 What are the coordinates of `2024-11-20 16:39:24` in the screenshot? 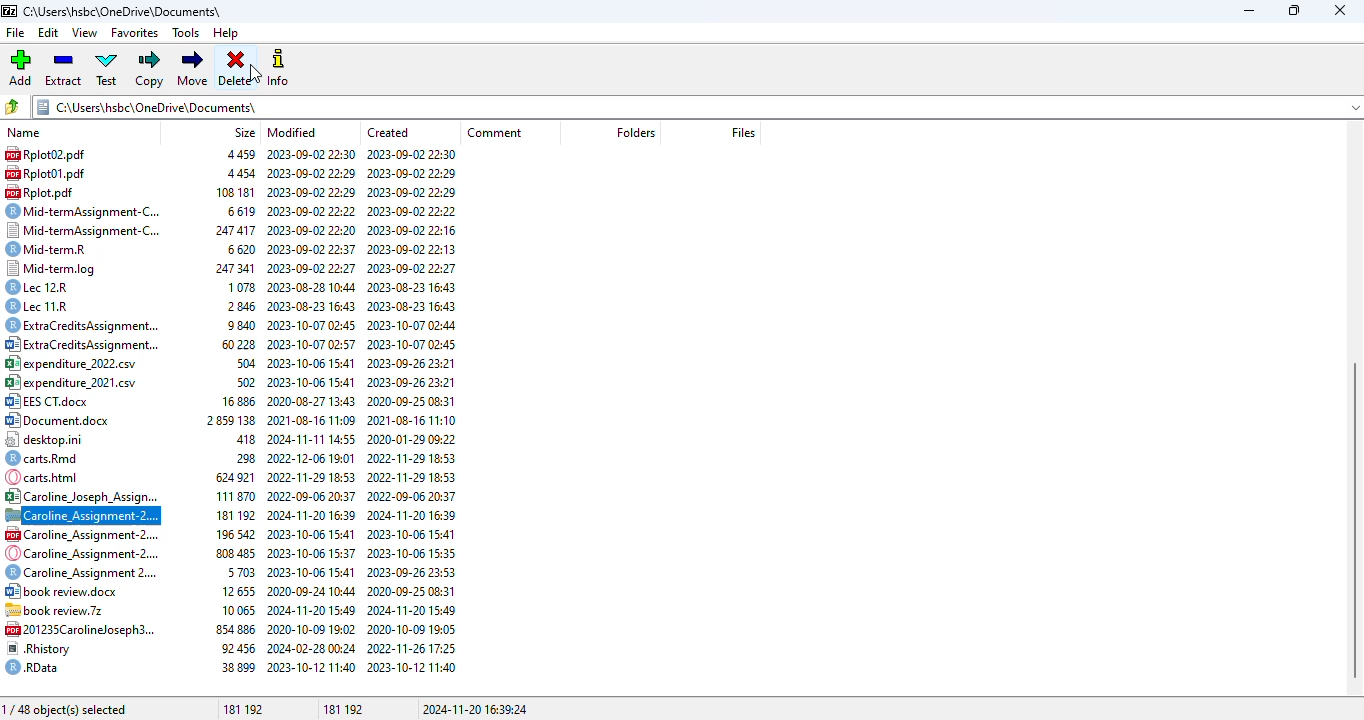 It's located at (477, 709).